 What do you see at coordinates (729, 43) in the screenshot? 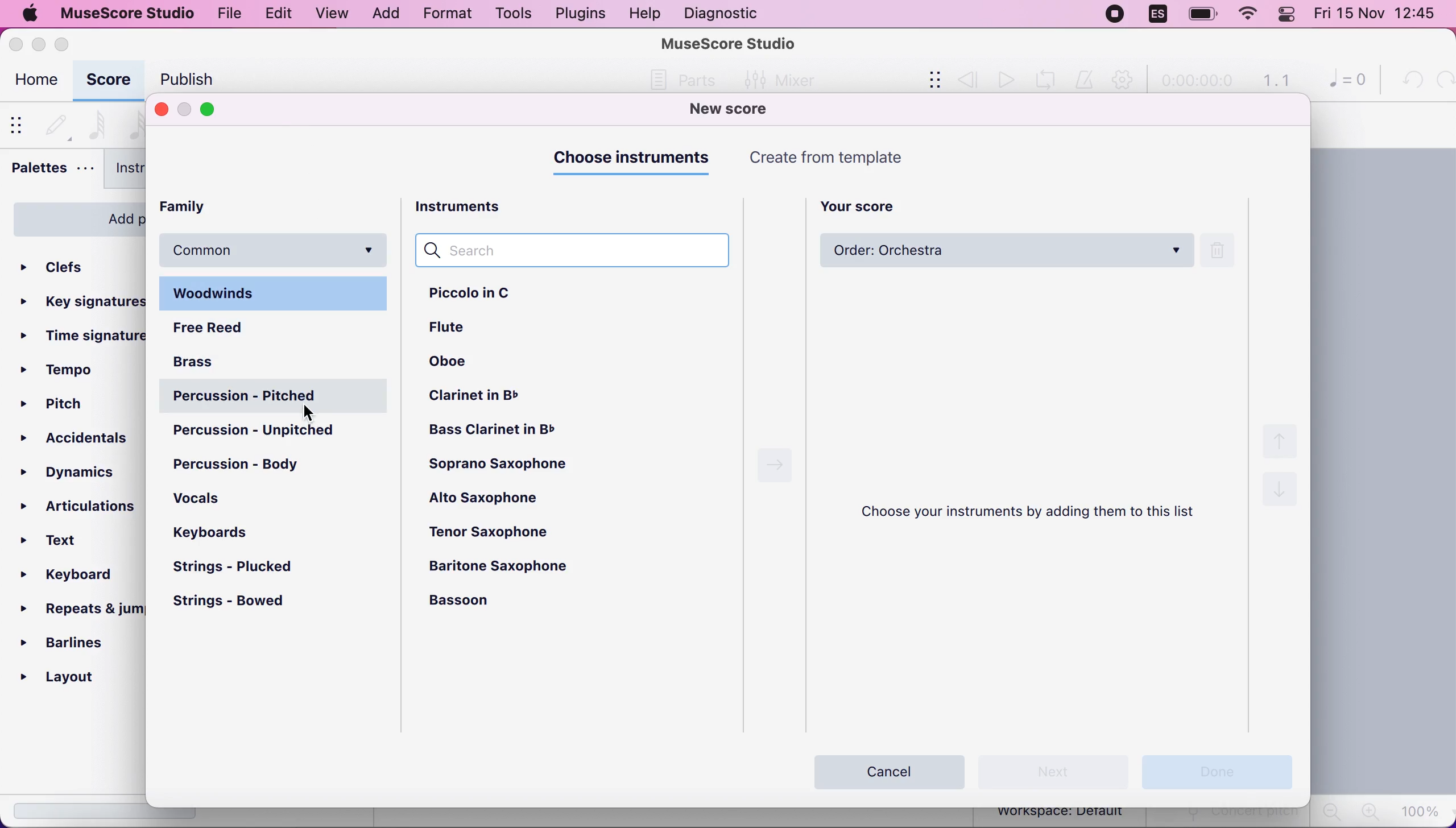
I see `MuseScore Studio` at bounding box center [729, 43].